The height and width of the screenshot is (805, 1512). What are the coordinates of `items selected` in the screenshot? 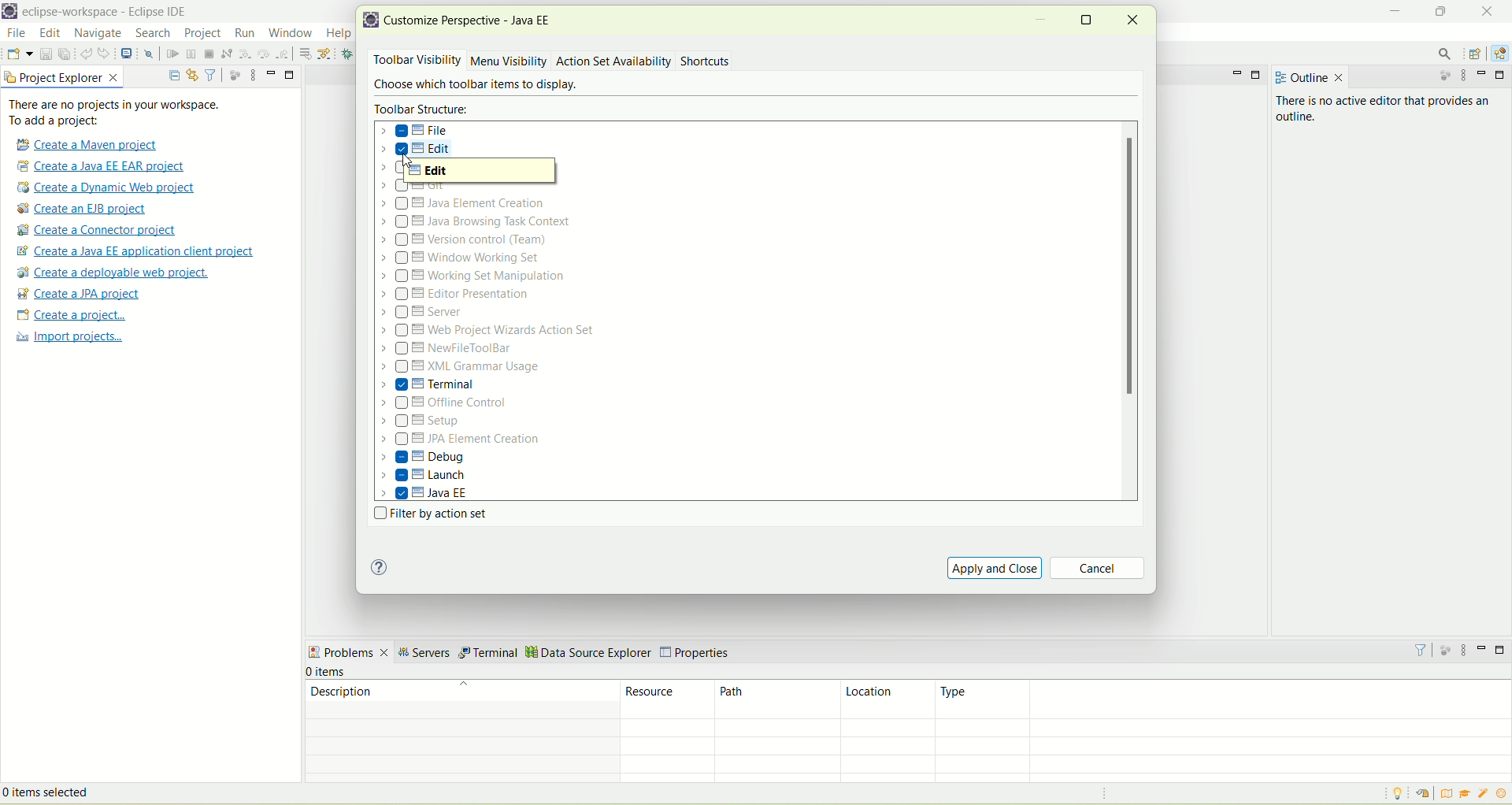 It's located at (70, 791).